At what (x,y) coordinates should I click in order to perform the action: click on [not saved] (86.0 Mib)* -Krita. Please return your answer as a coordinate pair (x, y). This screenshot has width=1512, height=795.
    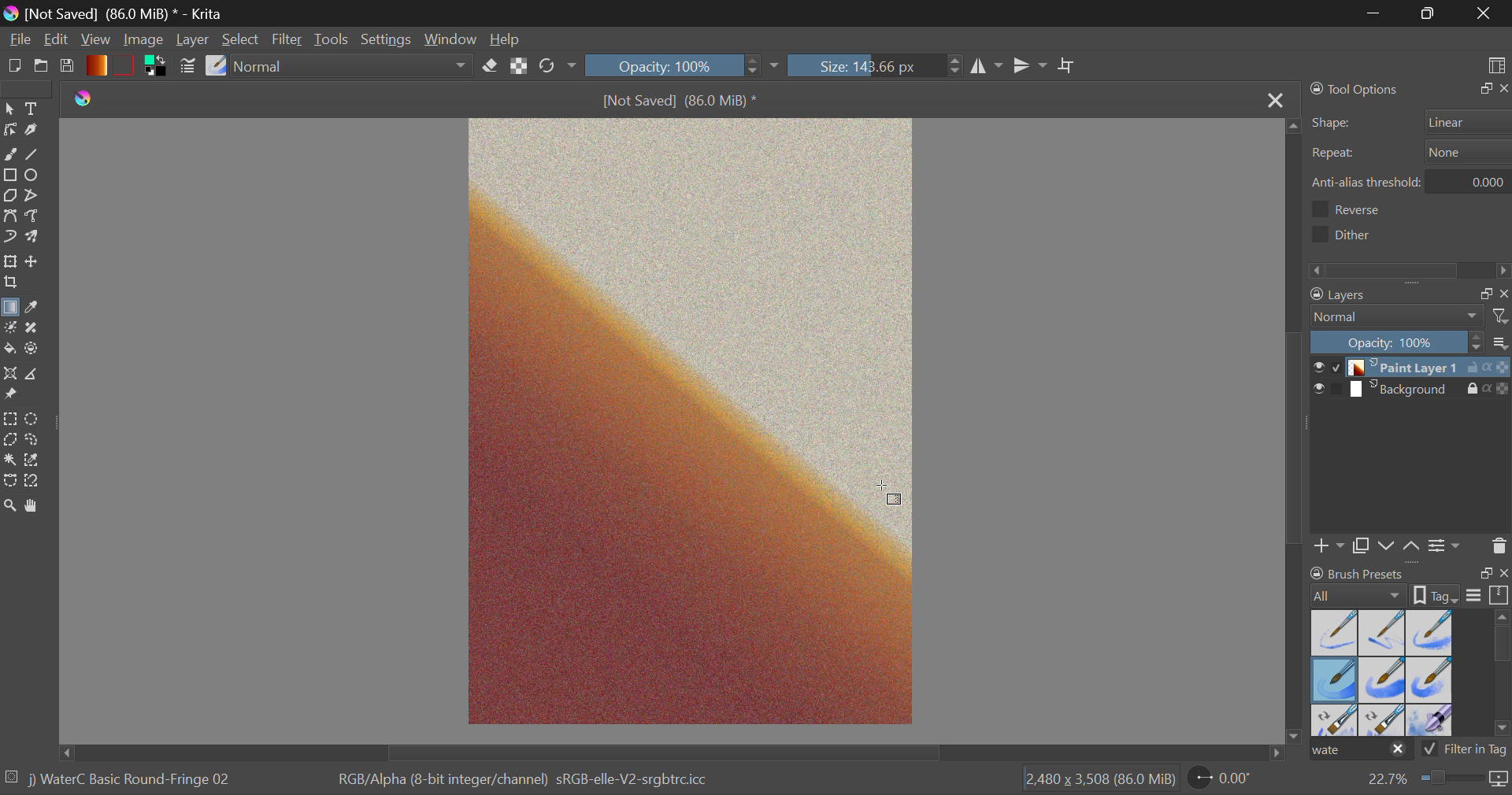
    Looking at the image, I should click on (114, 14).